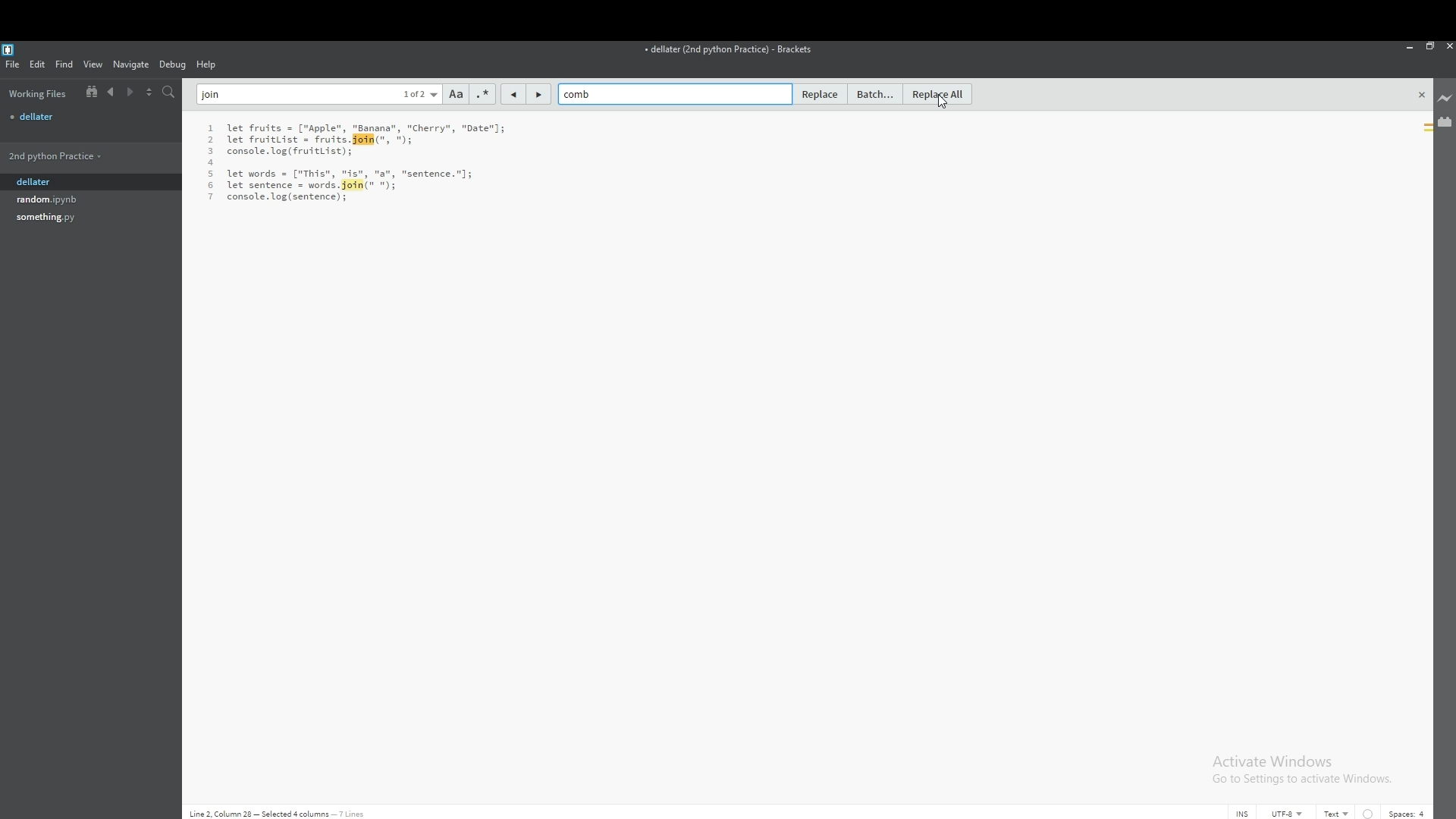 The width and height of the screenshot is (1456, 819). What do you see at coordinates (1304, 770) in the screenshot?
I see `Activate Windows
Go to Settings to activate Windows.` at bounding box center [1304, 770].